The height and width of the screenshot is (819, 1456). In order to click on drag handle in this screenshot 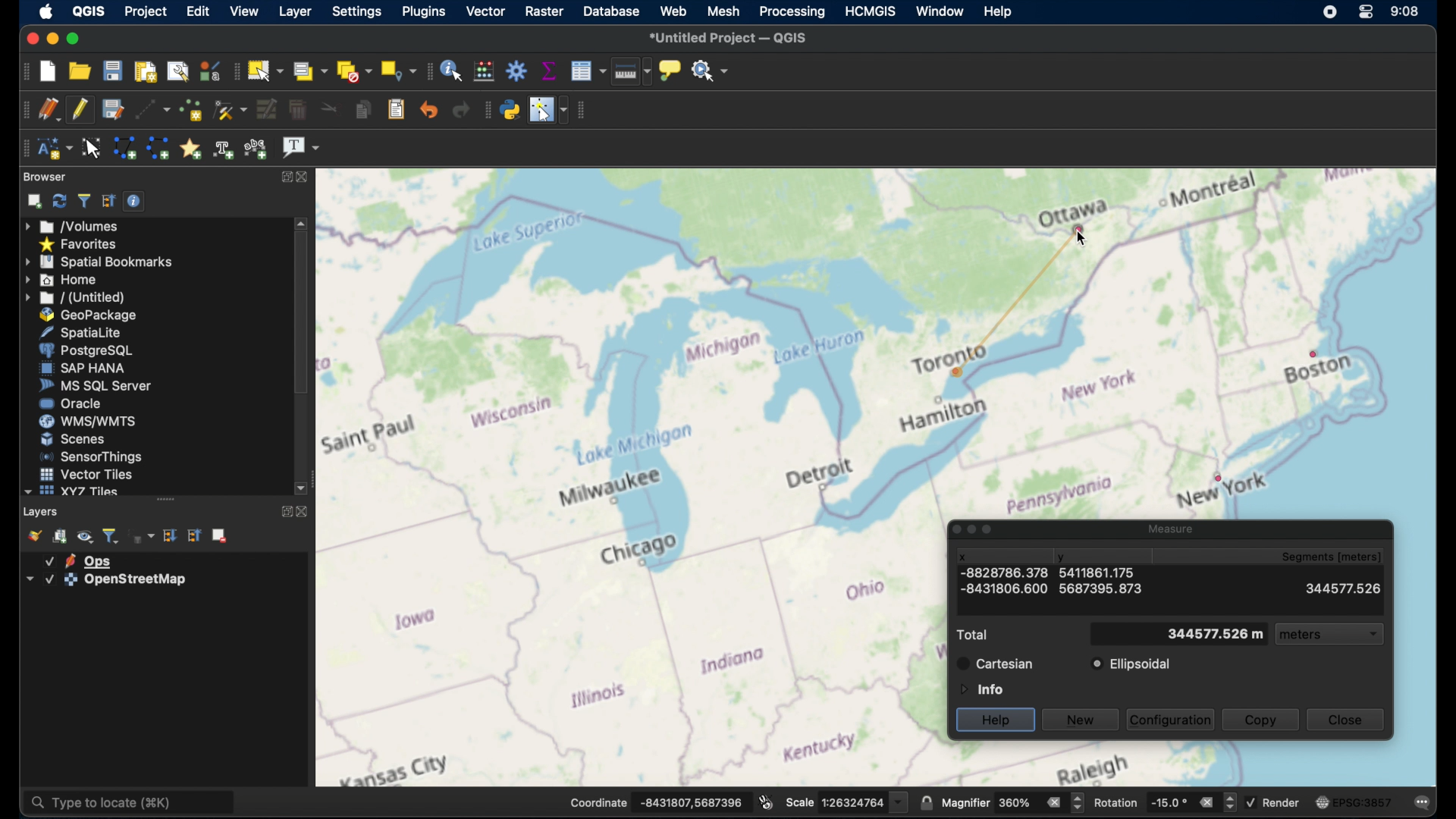, I will do `click(165, 499)`.